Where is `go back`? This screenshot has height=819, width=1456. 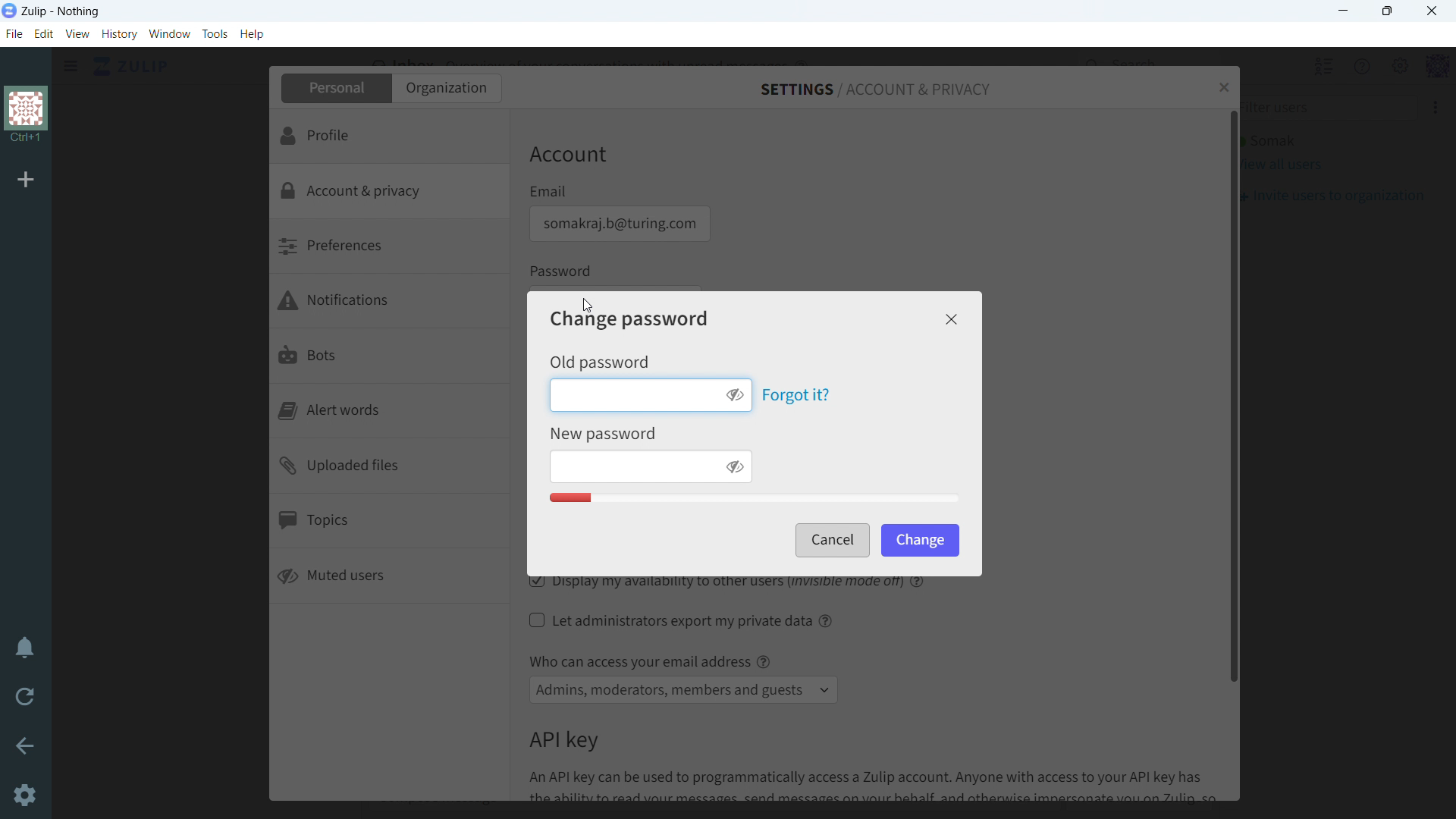
go back is located at coordinates (26, 744).